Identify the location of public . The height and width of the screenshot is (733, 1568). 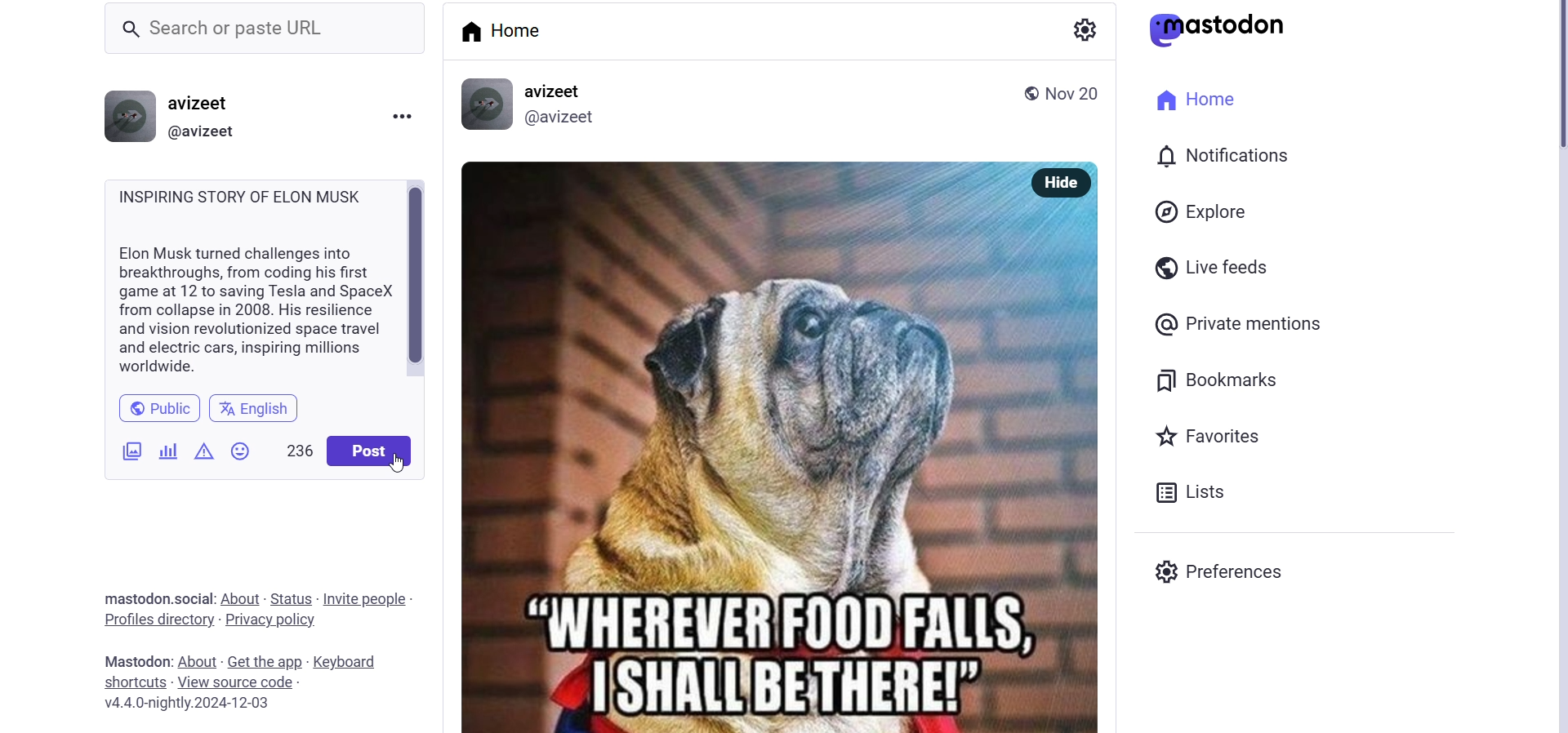
(154, 410).